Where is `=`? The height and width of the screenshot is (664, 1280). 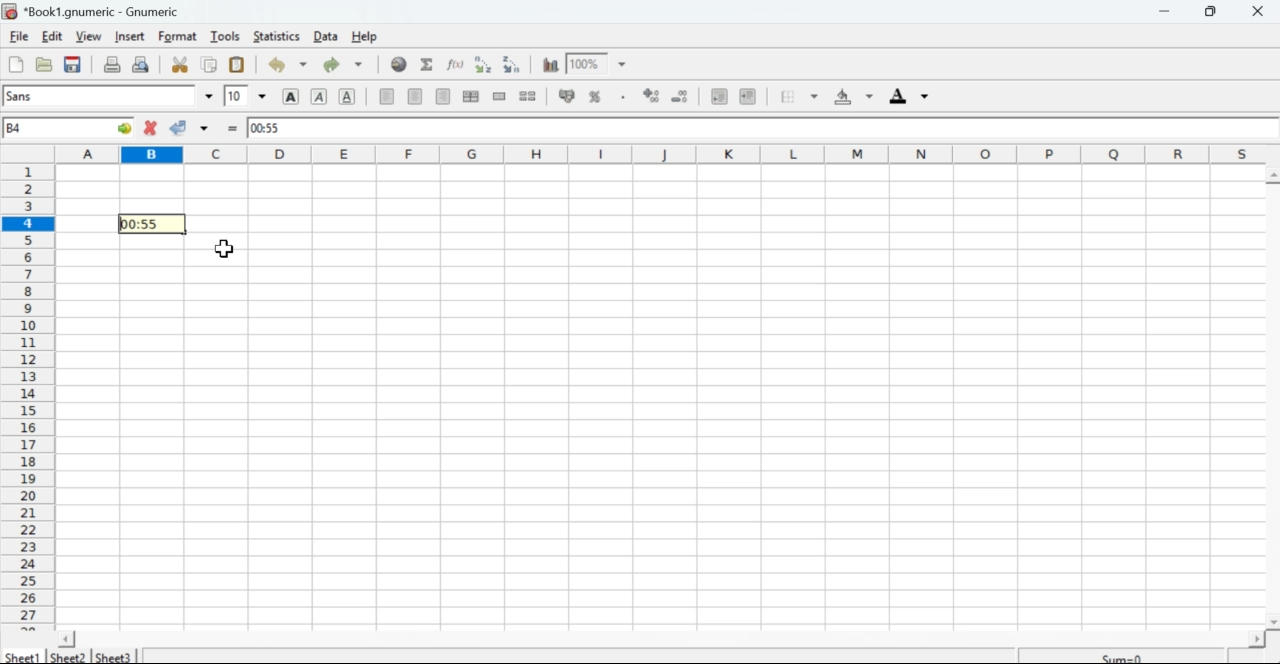 = is located at coordinates (235, 129).